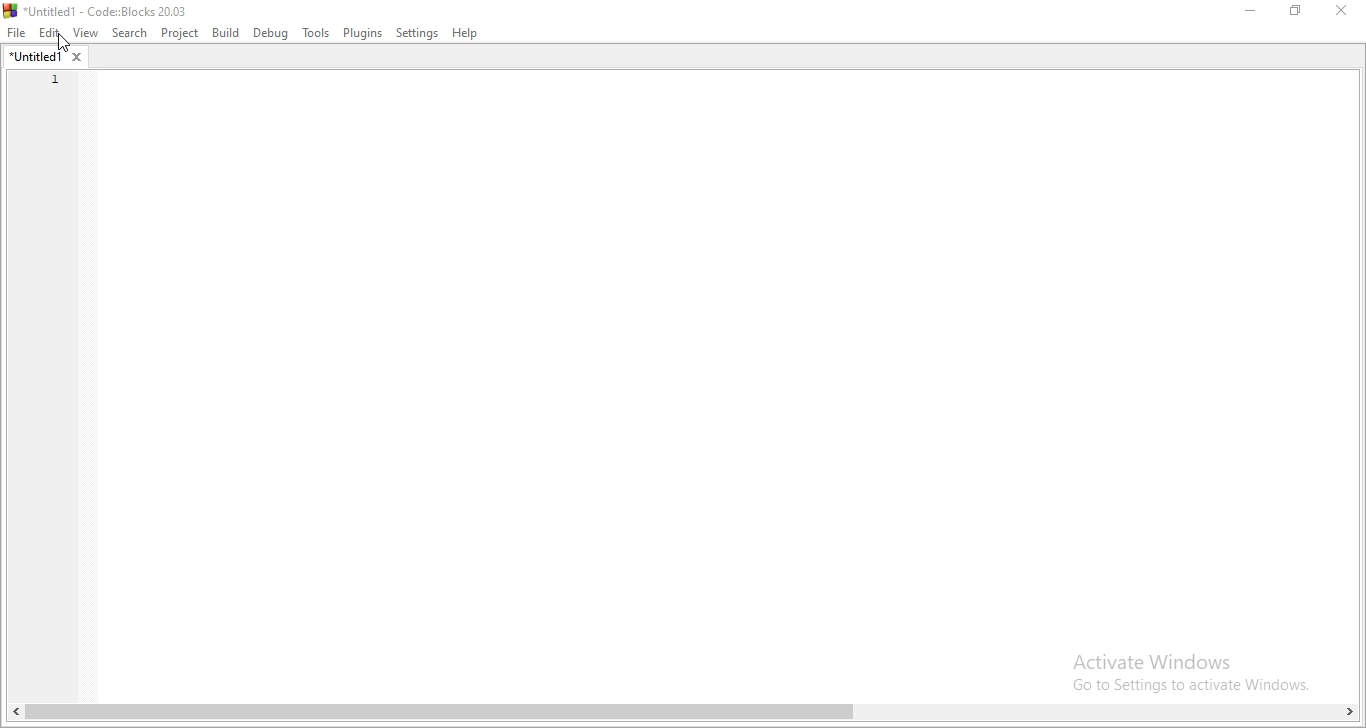 The image size is (1366, 728). I want to click on 1, so click(58, 81).